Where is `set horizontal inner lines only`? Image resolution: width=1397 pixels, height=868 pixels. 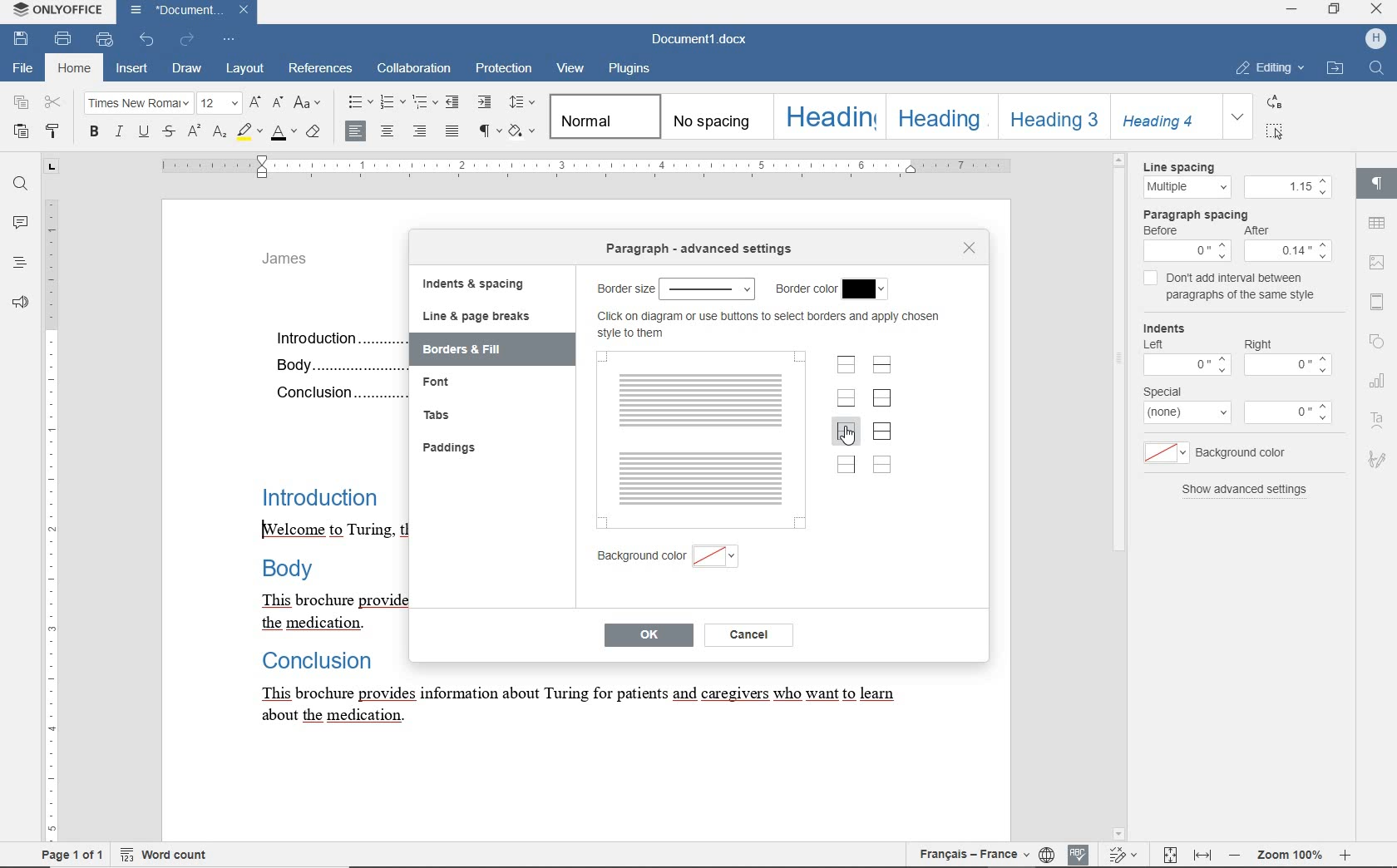
set horizontal inner lines only is located at coordinates (882, 367).